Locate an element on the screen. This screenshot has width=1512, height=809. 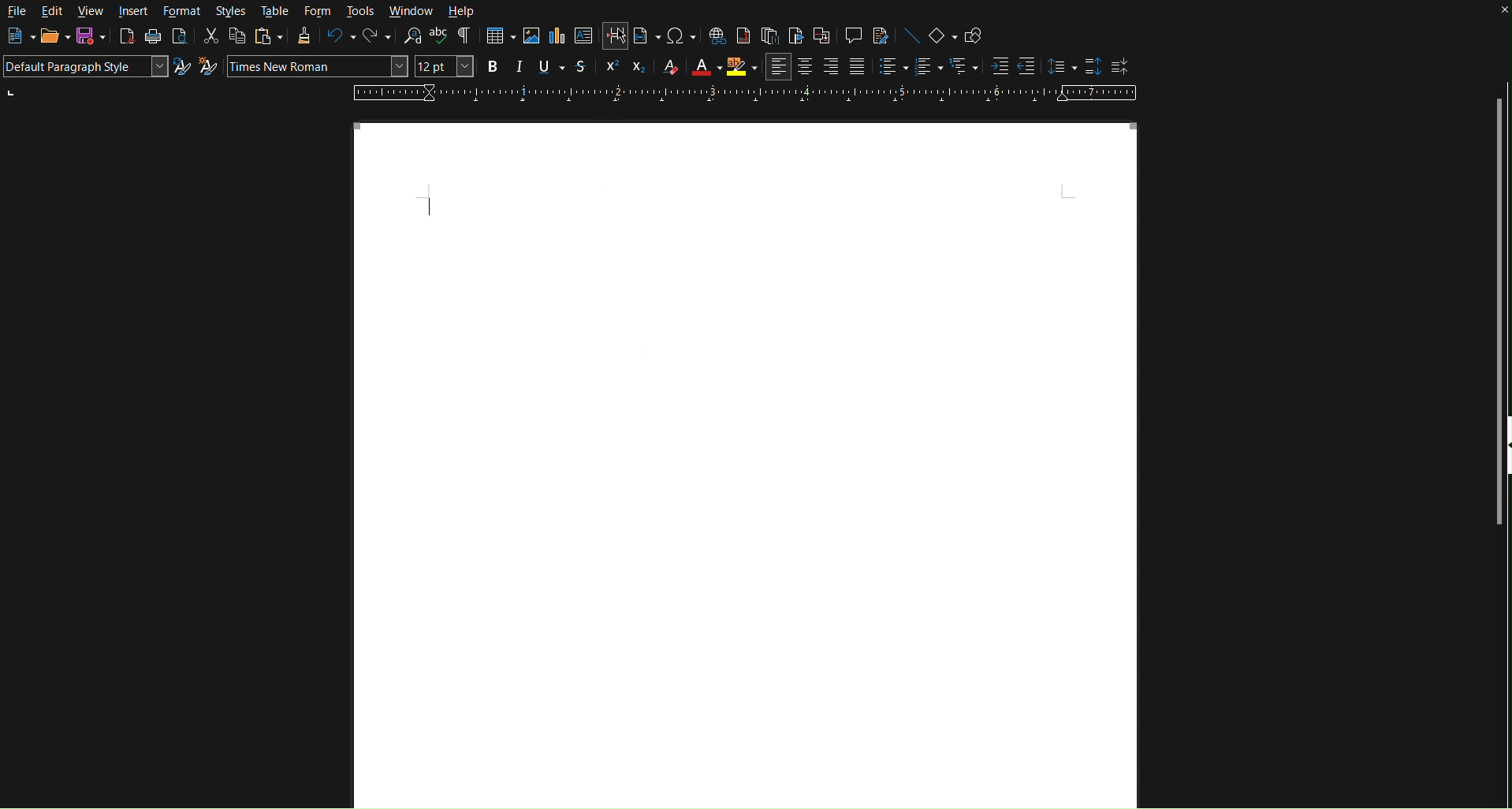
Insert Endnote is located at coordinates (770, 35).